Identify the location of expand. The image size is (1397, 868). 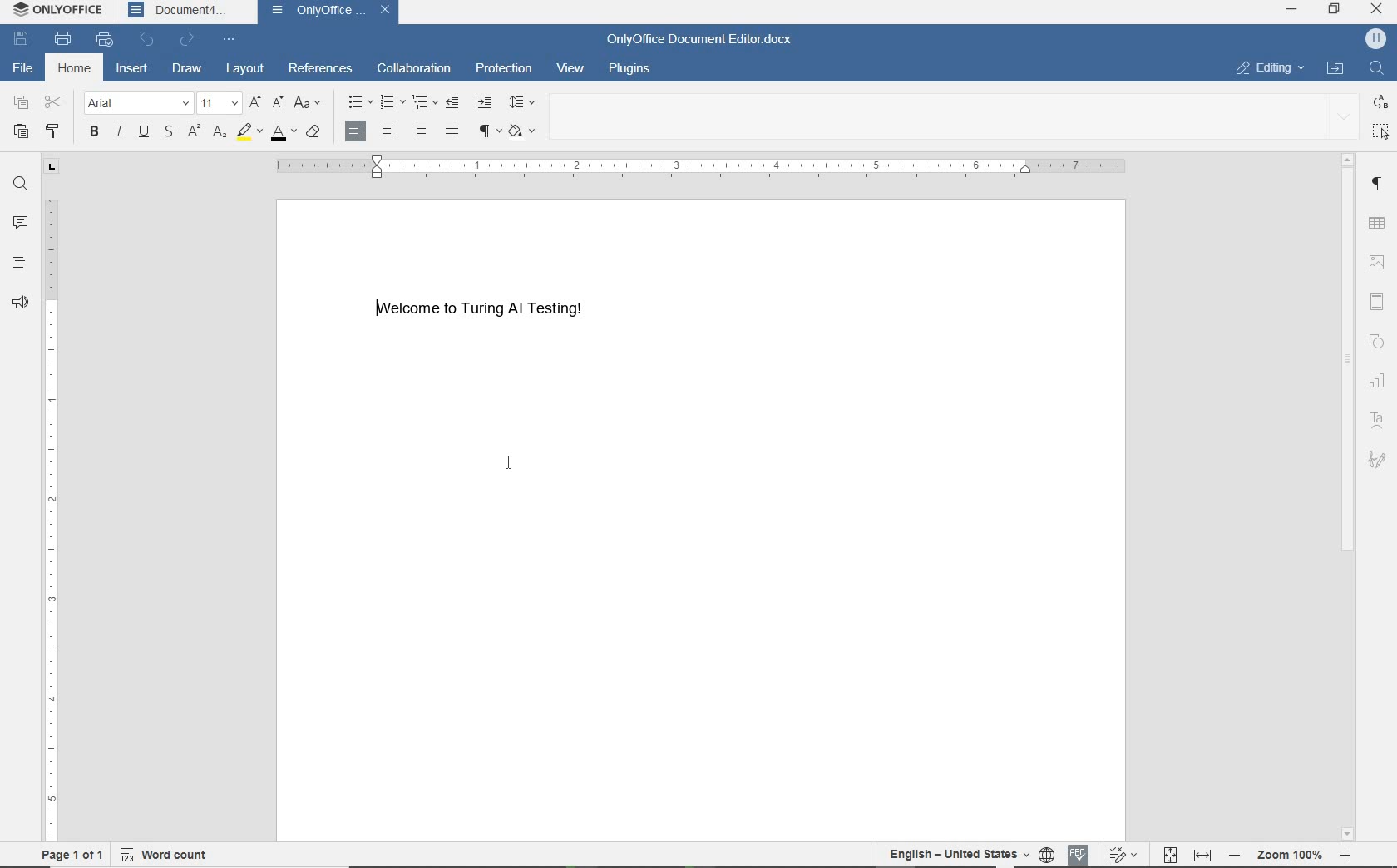
(1335, 118).